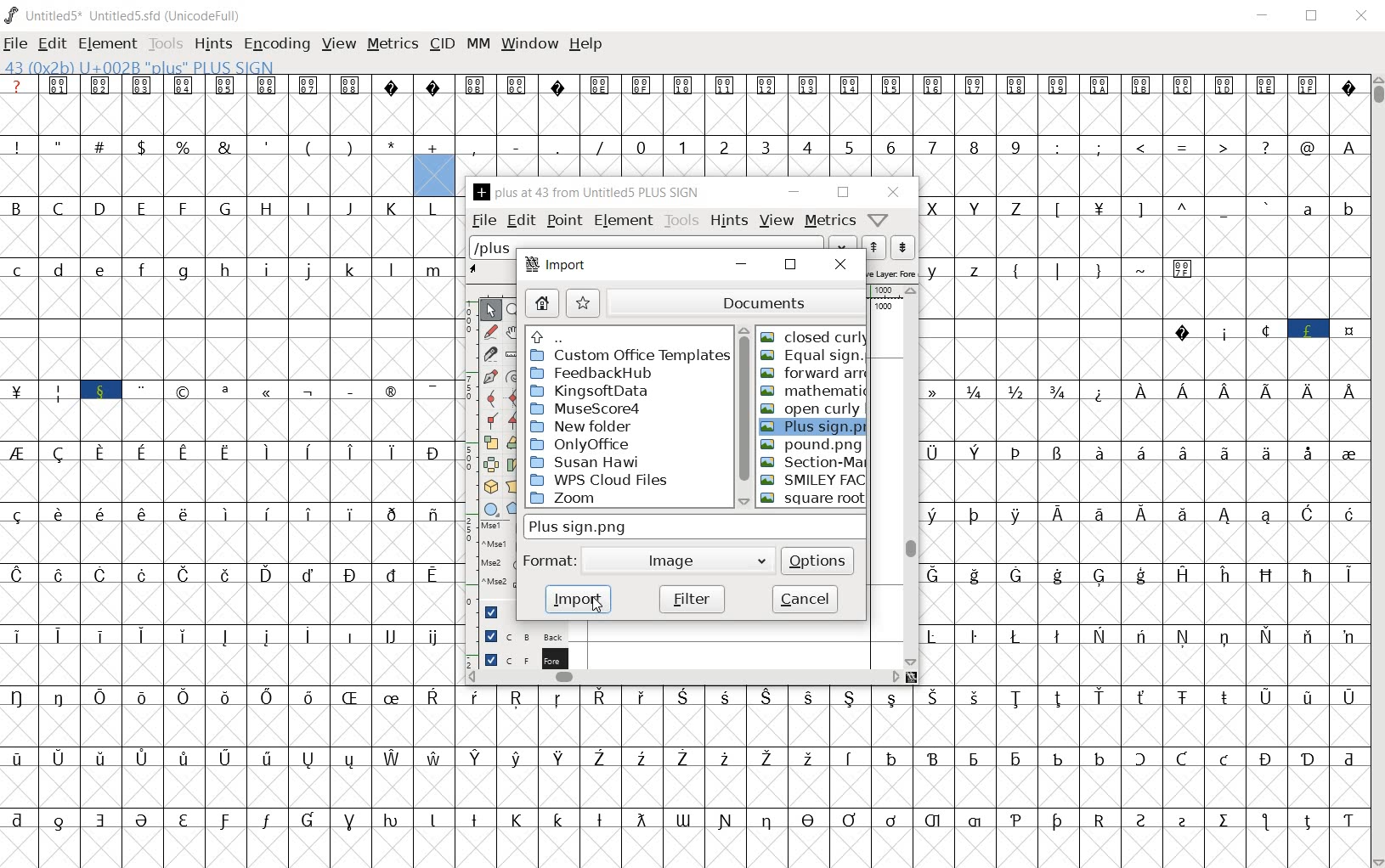 This screenshot has width=1385, height=868. Describe the element at coordinates (582, 302) in the screenshot. I see `star` at that location.